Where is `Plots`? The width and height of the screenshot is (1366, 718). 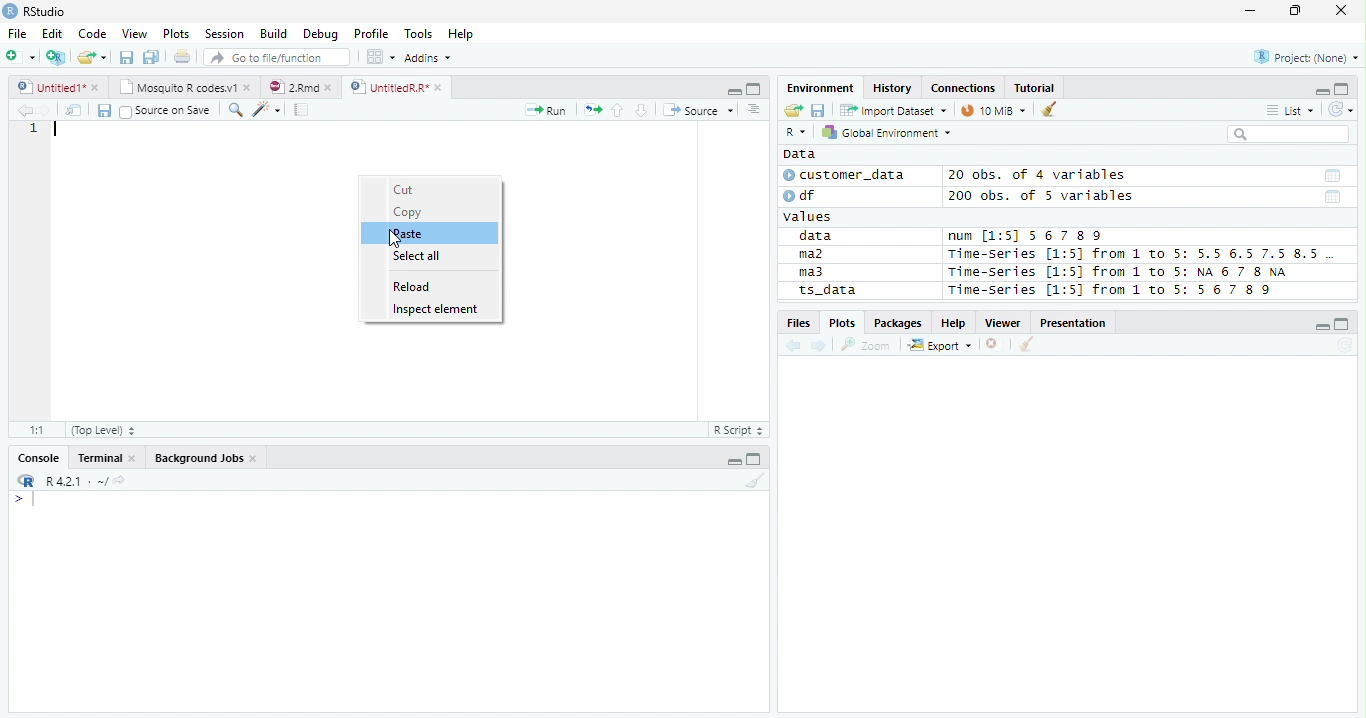
Plots is located at coordinates (842, 322).